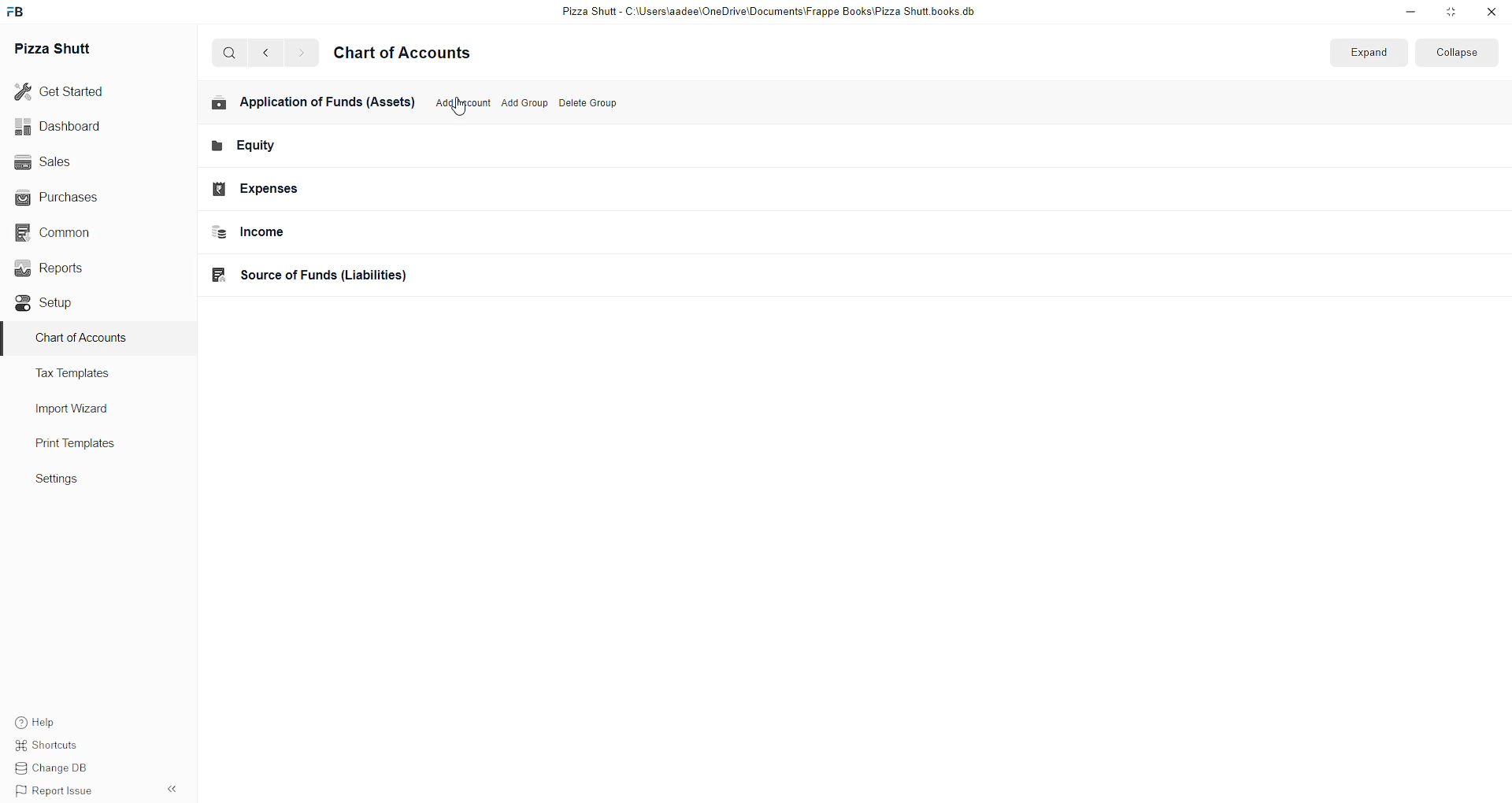 This screenshot has width=1512, height=803. I want to click on Equity , so click(320, 148).